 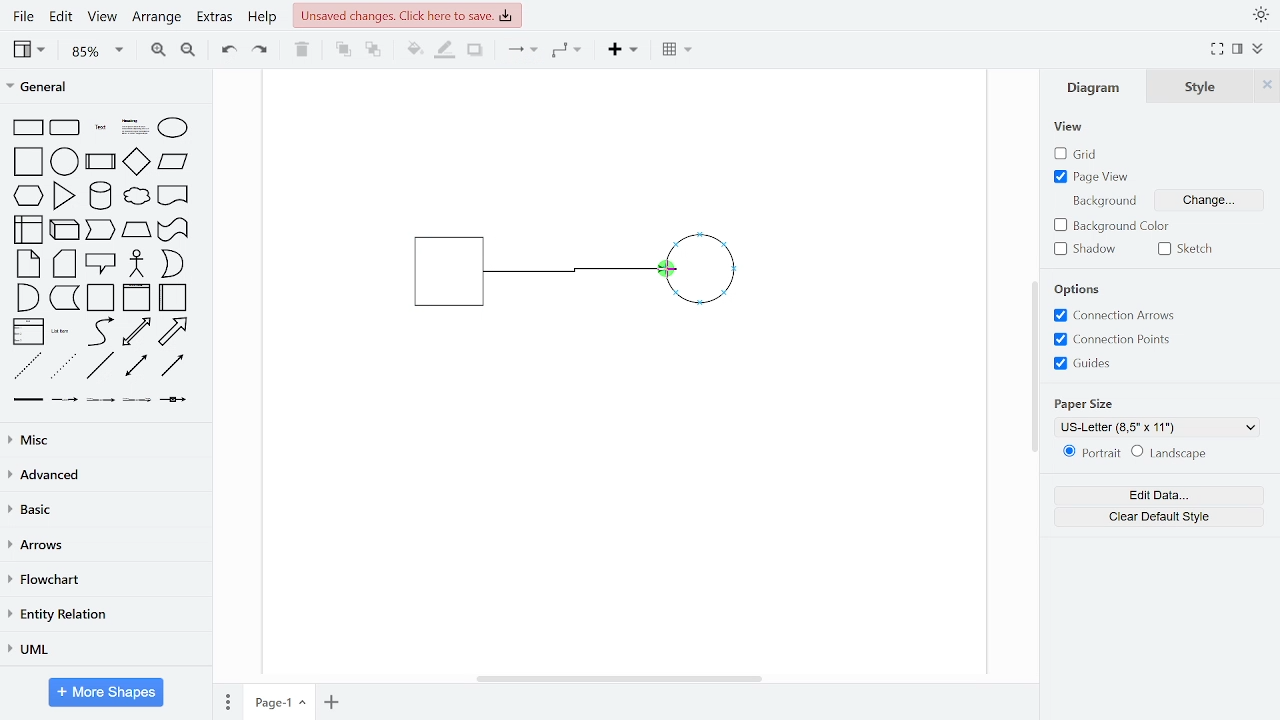 What do you see at coordinates (374, 51) in the screenshot?
I see `to back` at bounding box center [374, 51].